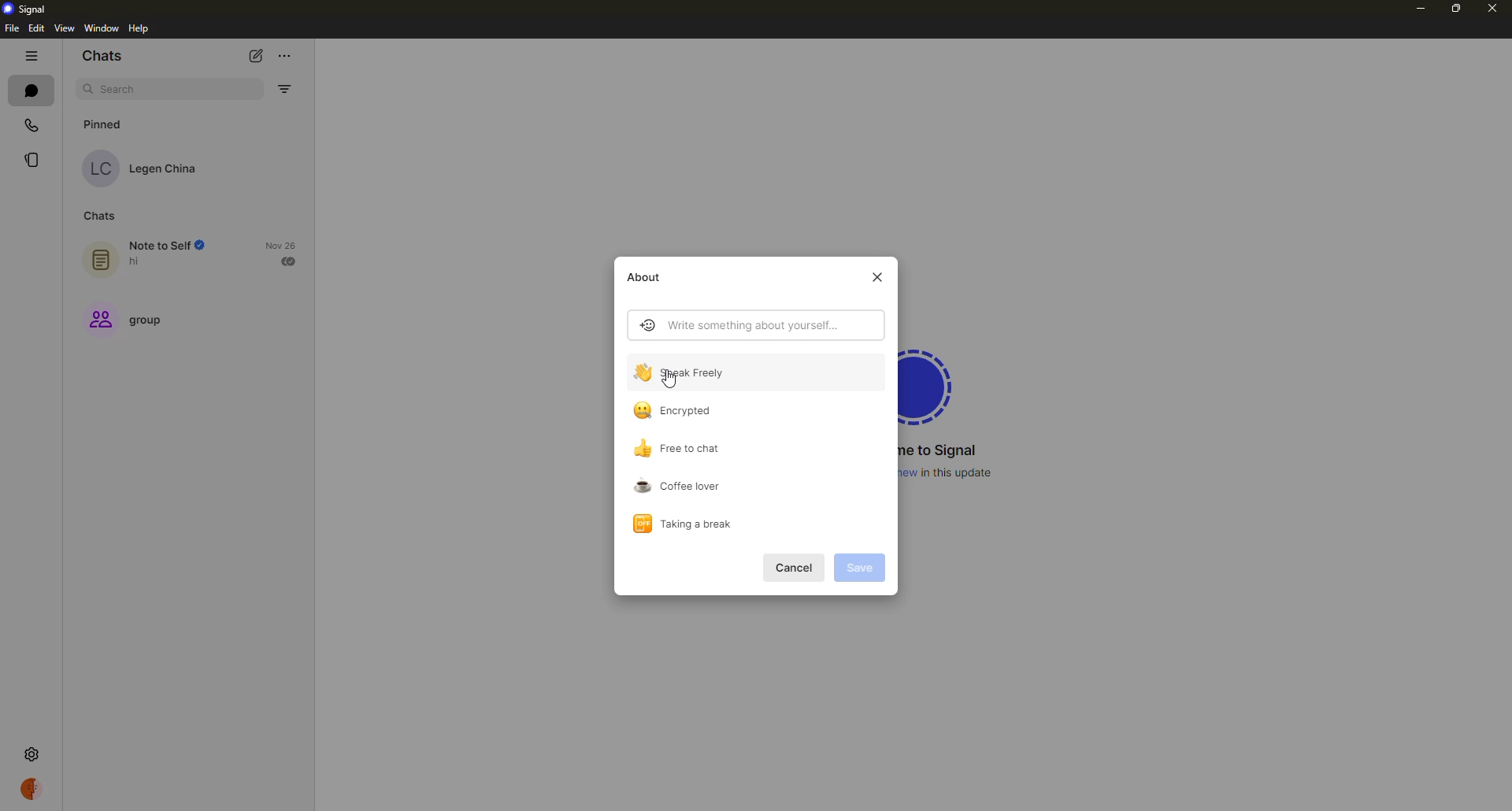  Describe the element at coordinates (291, 261) in the screenshot. I see `sent` at that location.